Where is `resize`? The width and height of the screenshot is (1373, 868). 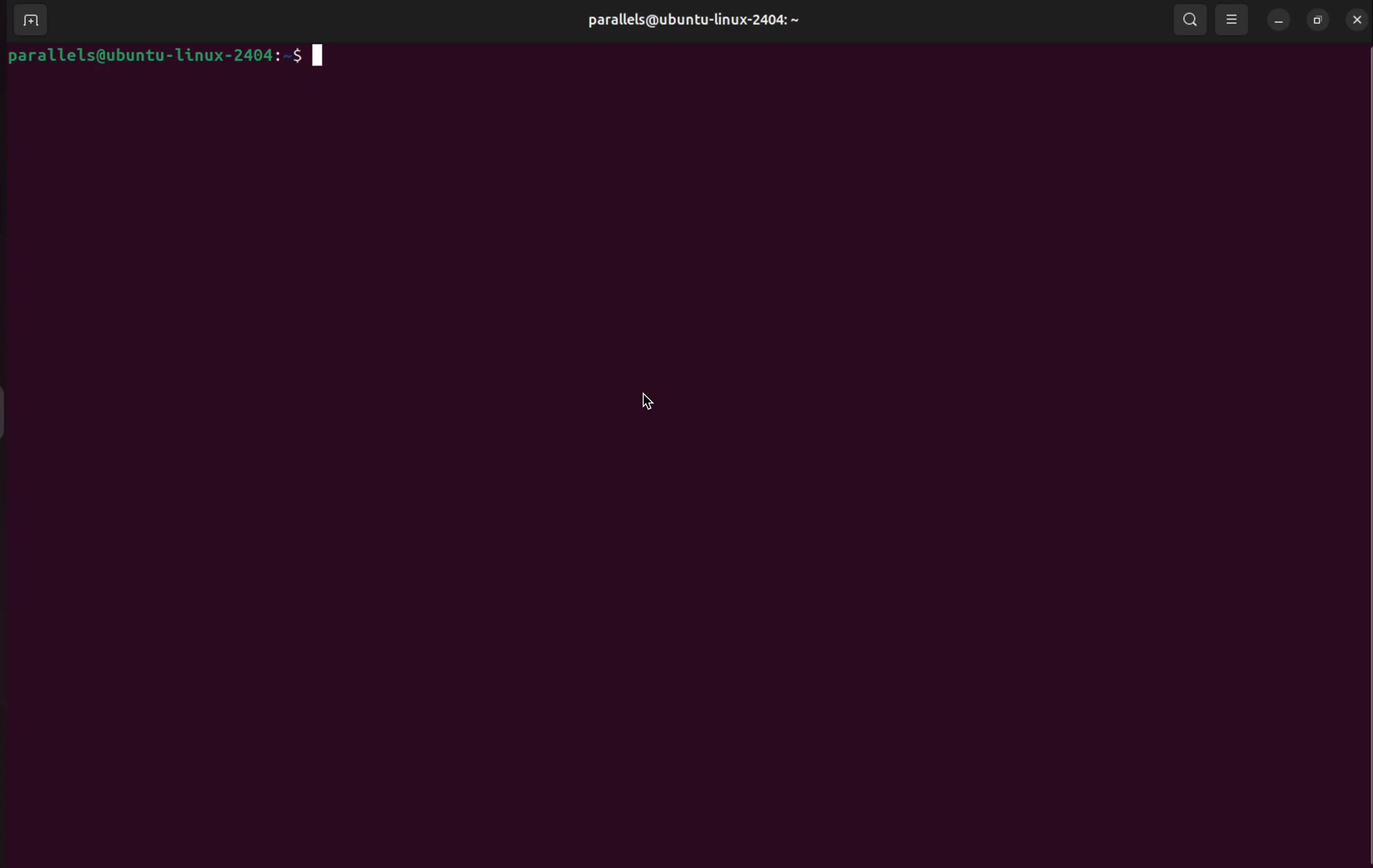
resize is located at coordinates (1315, 20).